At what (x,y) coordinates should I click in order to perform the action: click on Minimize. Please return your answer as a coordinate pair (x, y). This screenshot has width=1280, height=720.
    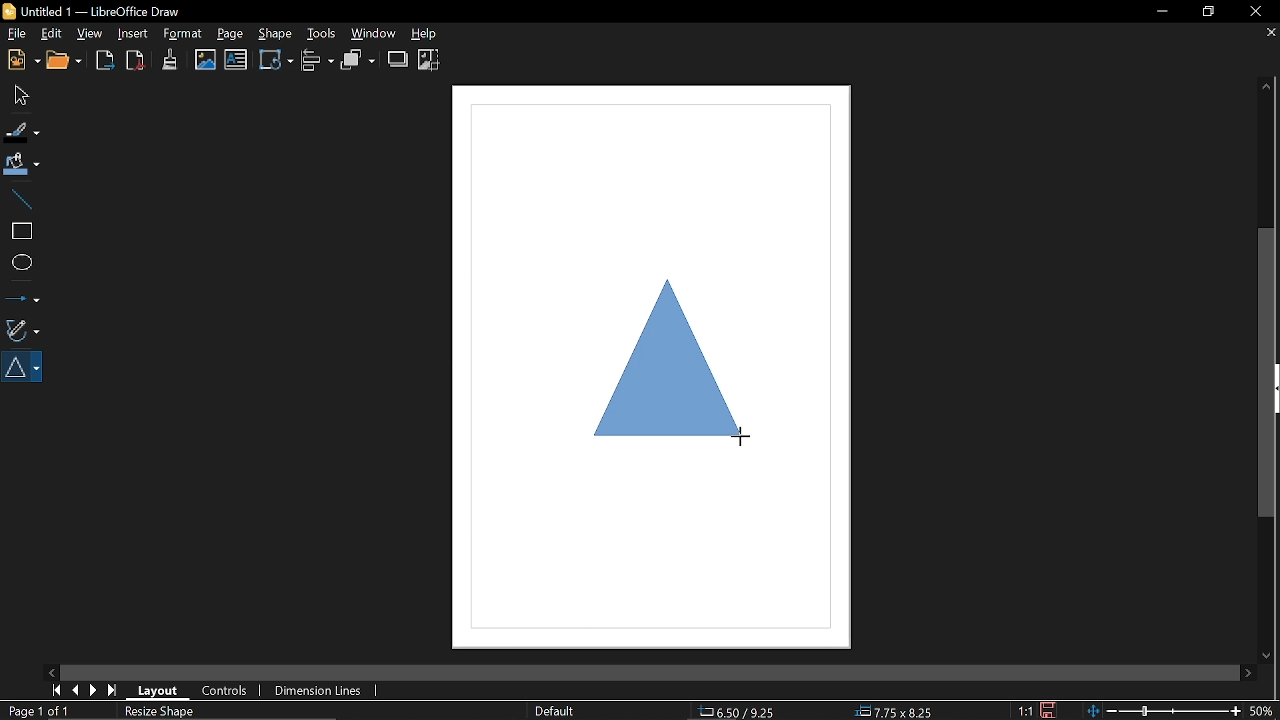
    Looking at the image, I should click on (1156, 13).